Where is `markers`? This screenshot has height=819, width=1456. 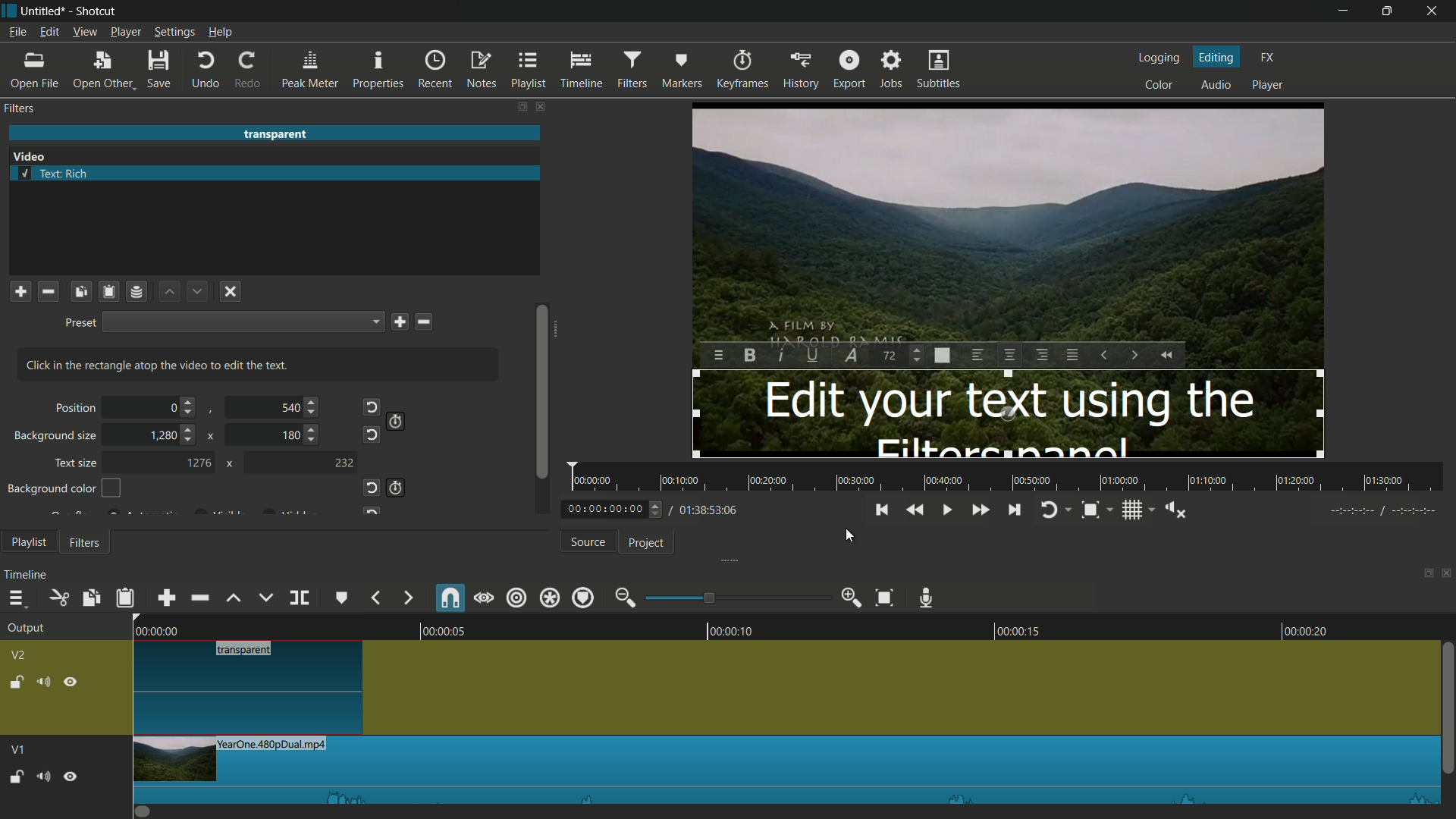 markers is located at coordinates (680, 71).